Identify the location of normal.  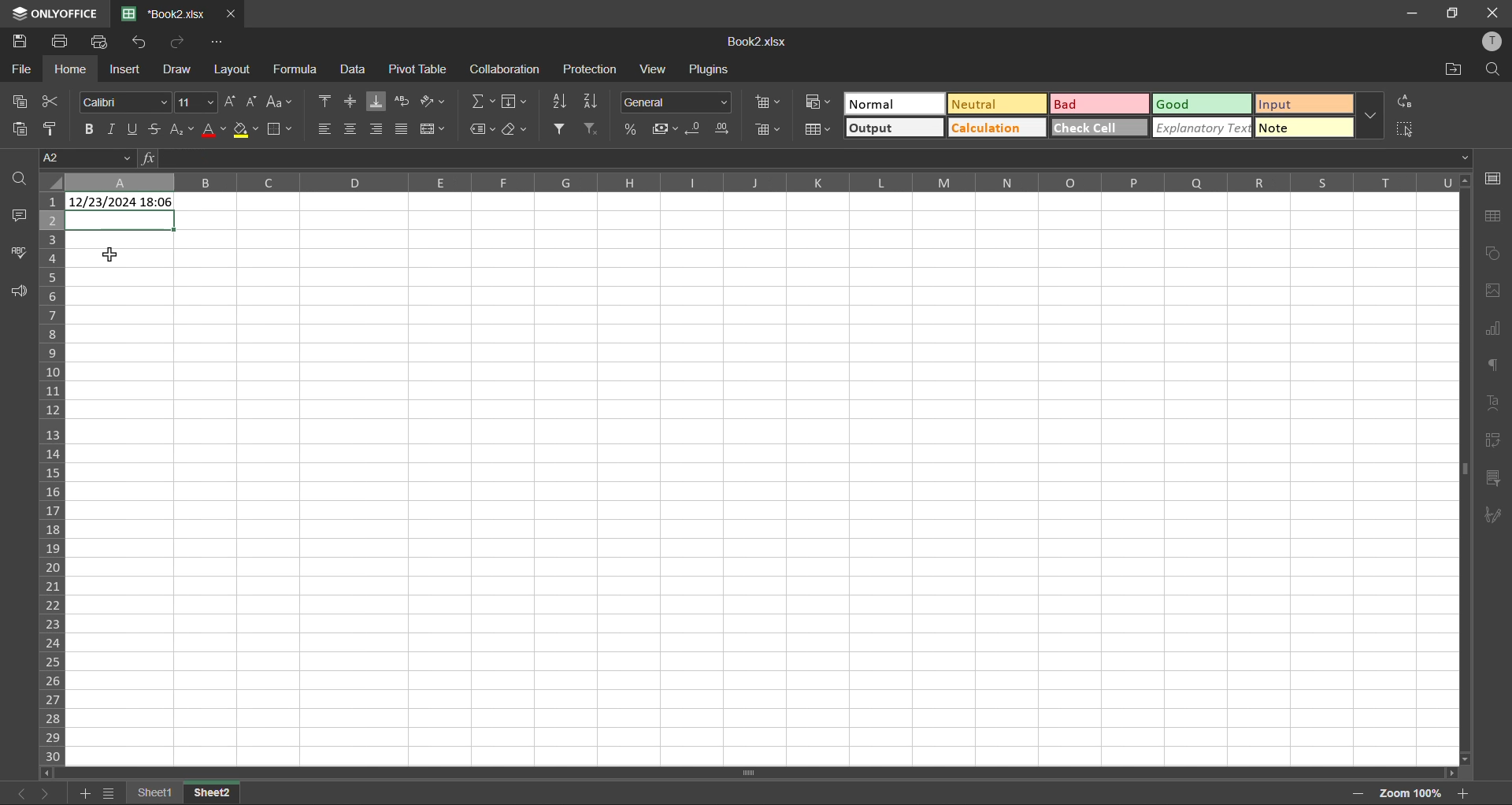
(896, 103).